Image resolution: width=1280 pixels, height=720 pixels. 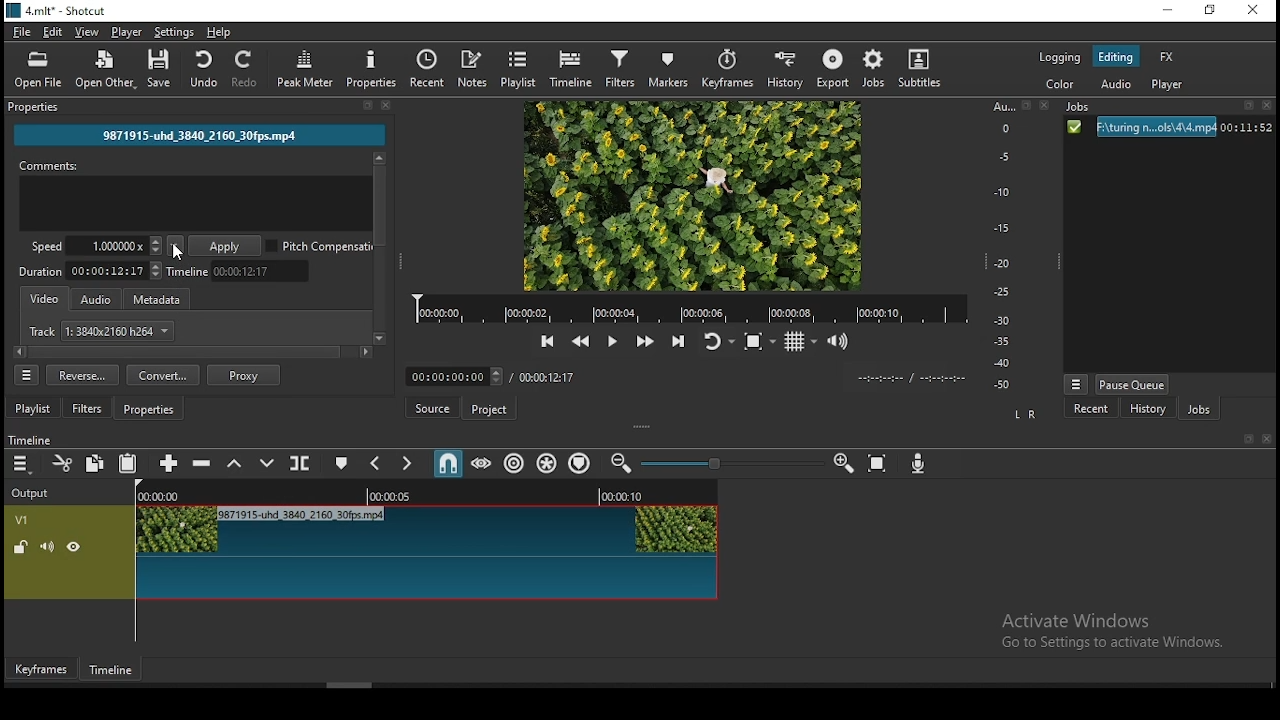 What do you see at coordinates (408, 463) in the screenshot?
I see `next marker` at bounding box center [408, 463].